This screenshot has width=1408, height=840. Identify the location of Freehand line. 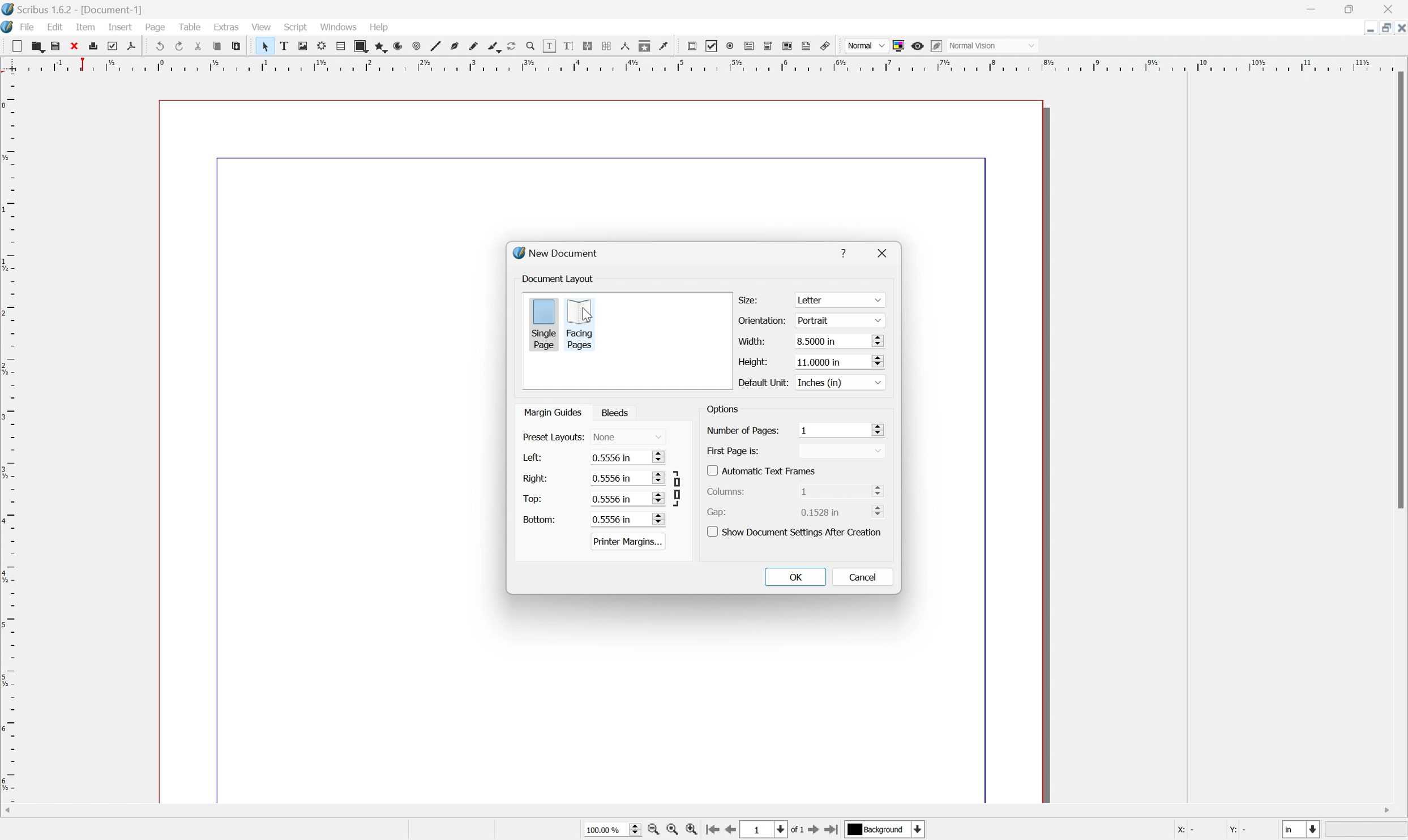
(472, 46).